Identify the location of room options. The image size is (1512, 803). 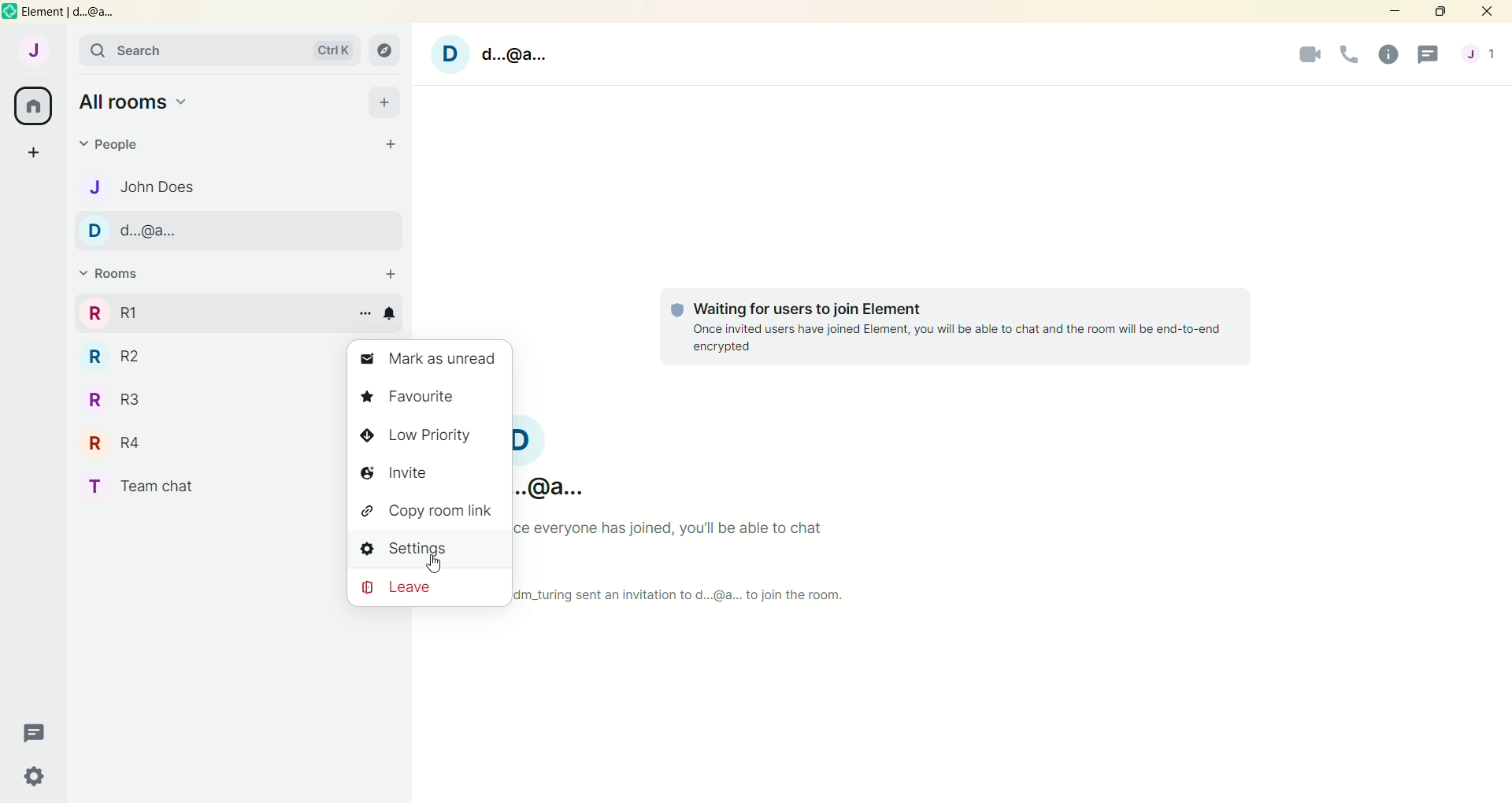
(361, 316).